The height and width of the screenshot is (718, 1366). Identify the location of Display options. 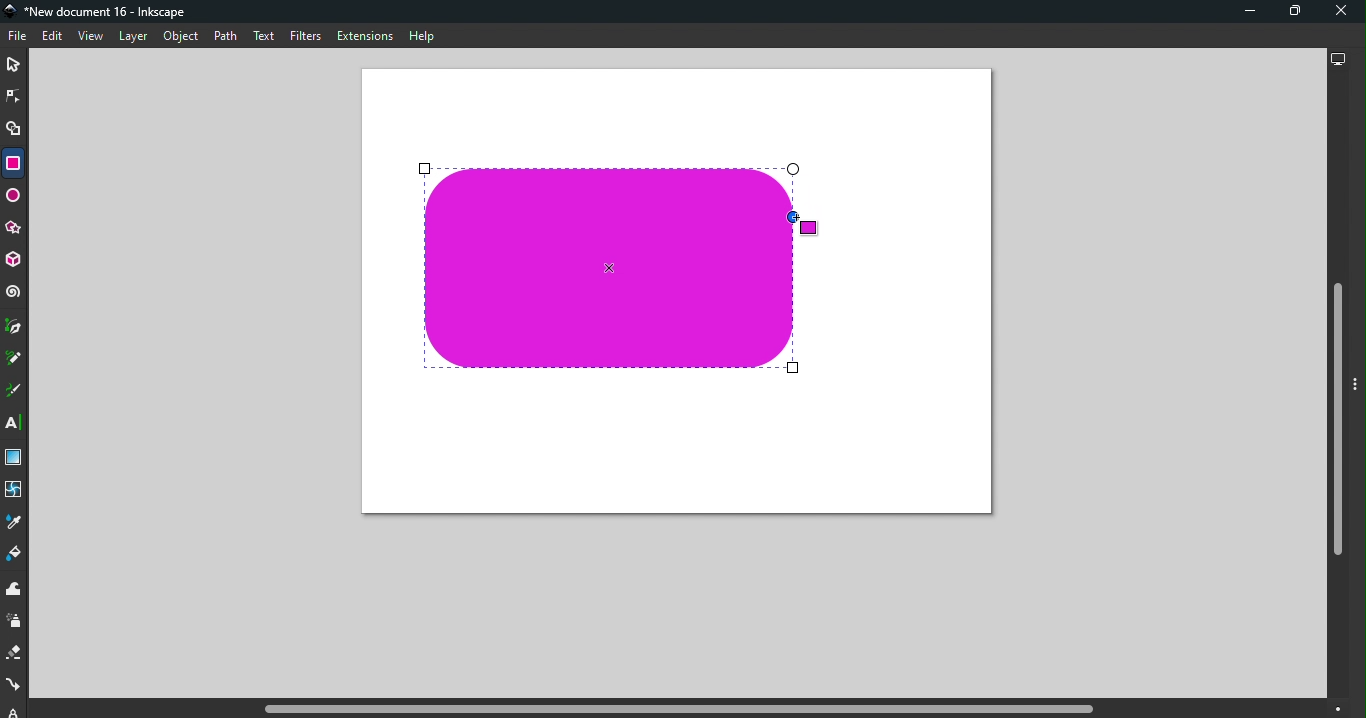
(1336, 57).